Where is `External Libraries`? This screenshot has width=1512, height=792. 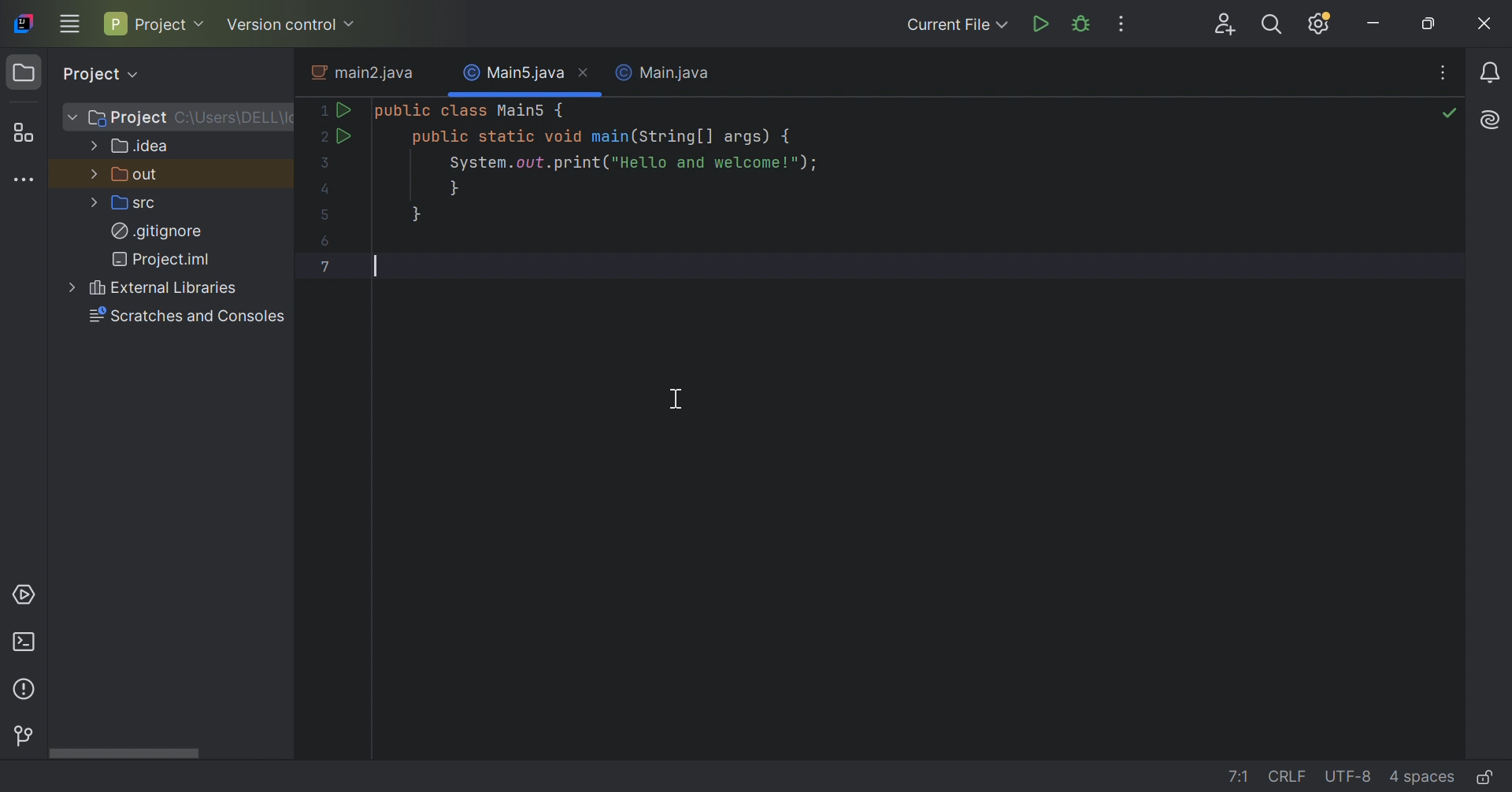 External Libraries is located at coordinates (164, 287).